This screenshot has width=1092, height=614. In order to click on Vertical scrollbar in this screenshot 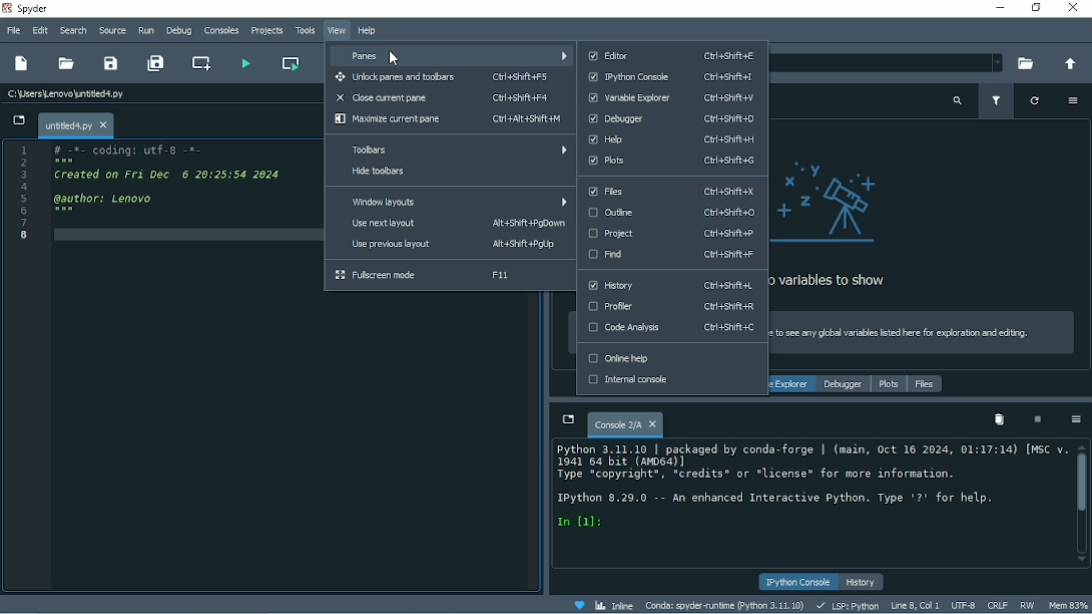, I will do `click(1082, 486)`.